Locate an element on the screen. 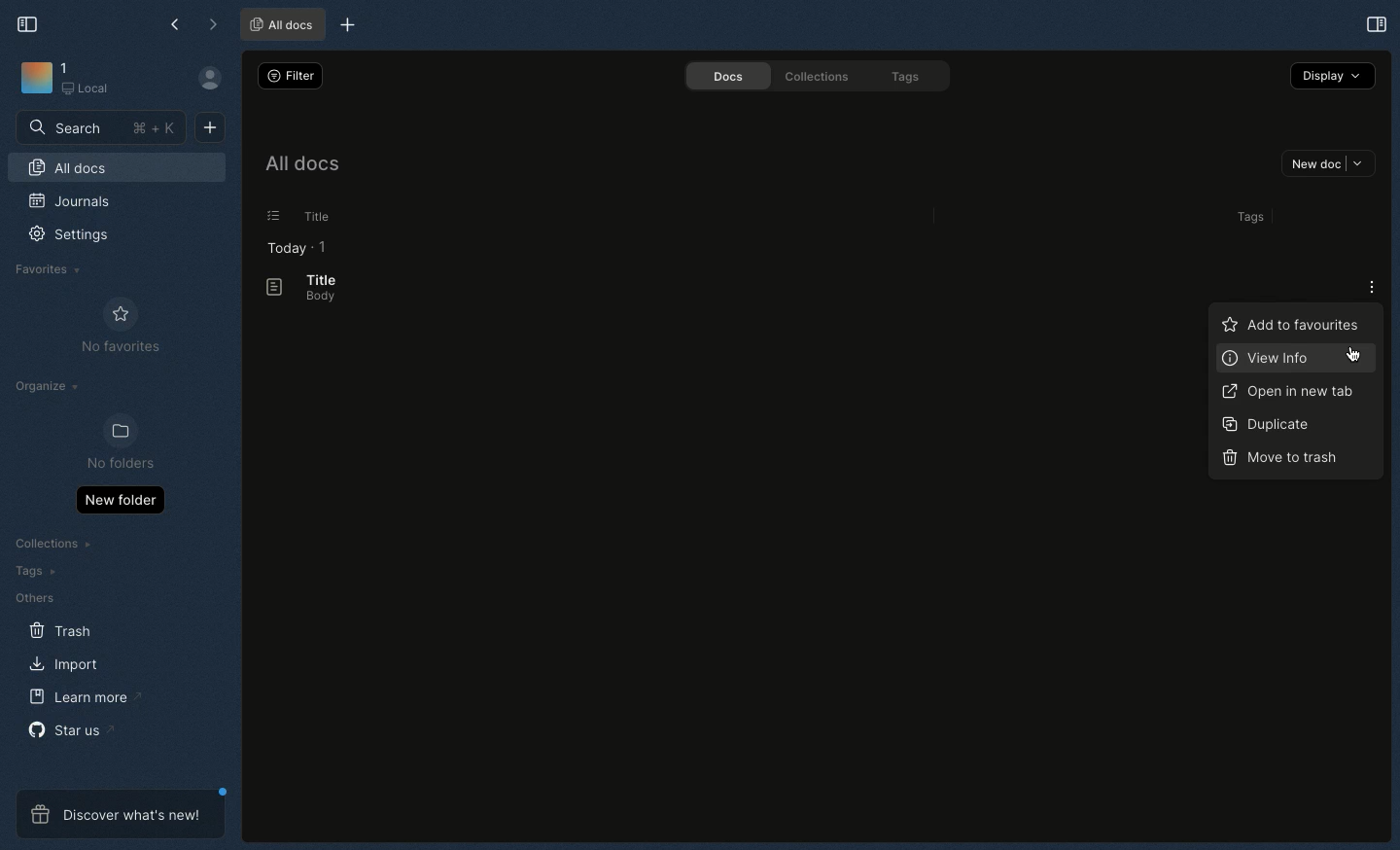 The height and width of the screenshot is (850, 1400). Collections is located at coordinates (813, 76).